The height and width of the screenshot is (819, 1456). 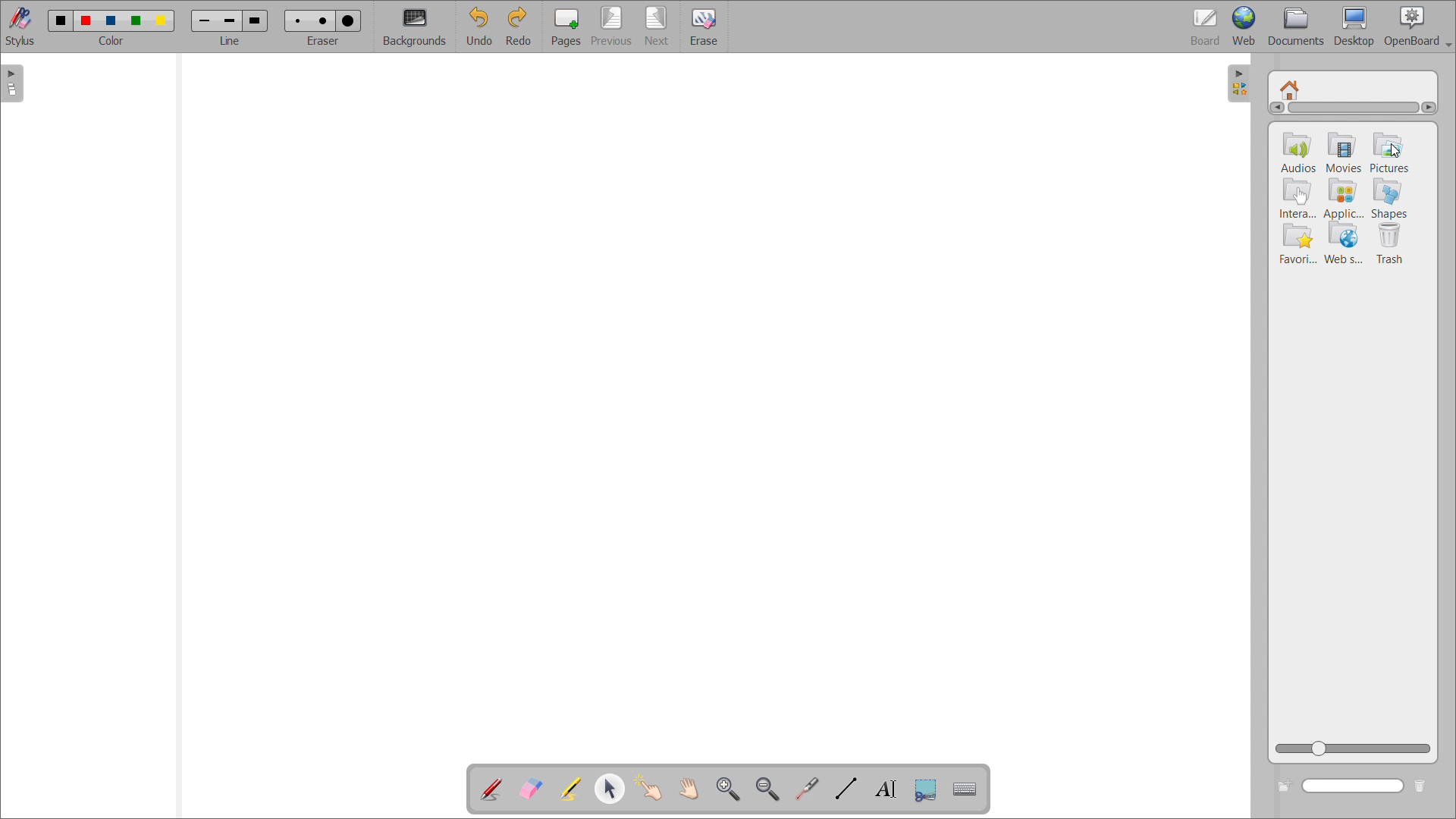 I want to click on write text, so click(x=886, y=789).